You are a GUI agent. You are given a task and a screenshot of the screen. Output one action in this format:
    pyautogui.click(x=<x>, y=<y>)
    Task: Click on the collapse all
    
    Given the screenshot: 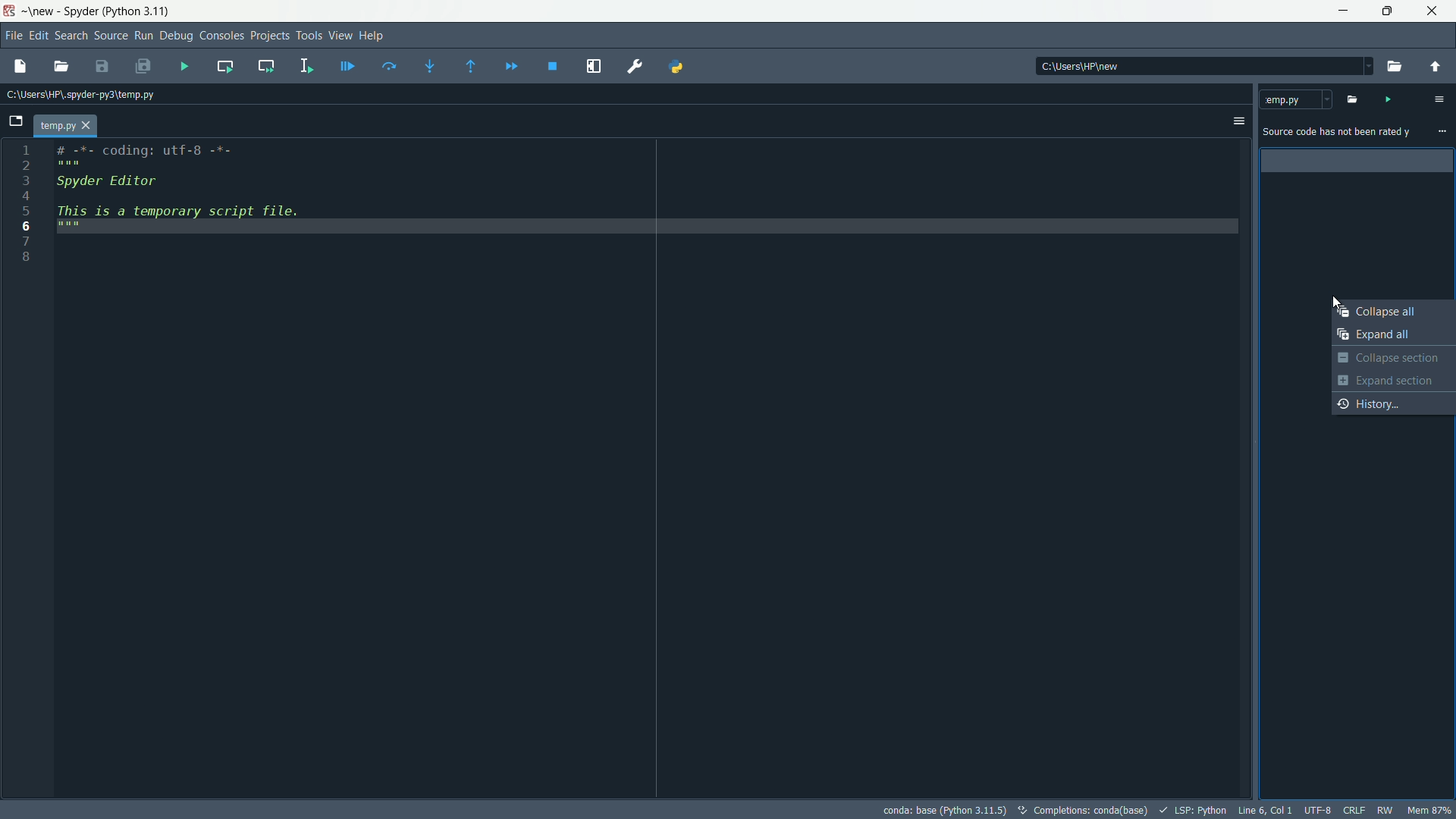 What is the action you would take?
    pyautogui.click(x=1394, y=312)
    